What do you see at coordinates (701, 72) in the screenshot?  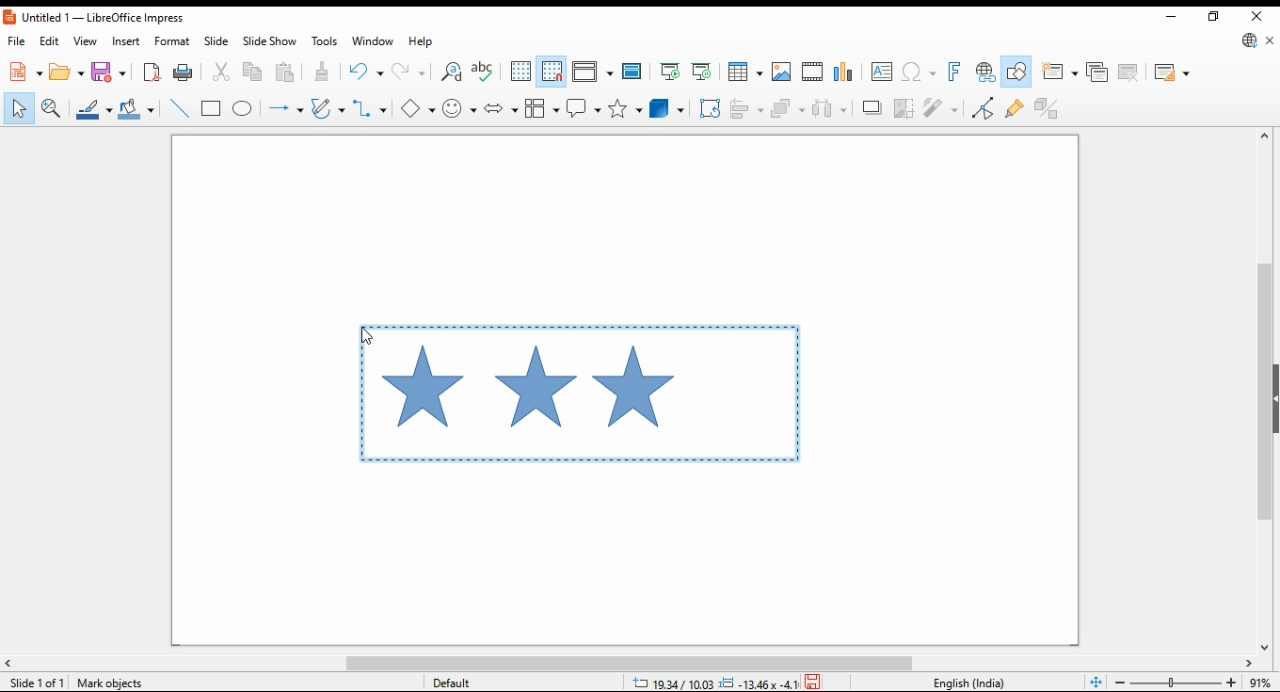 I see `start from current slide` at bounding box center [701, 72].